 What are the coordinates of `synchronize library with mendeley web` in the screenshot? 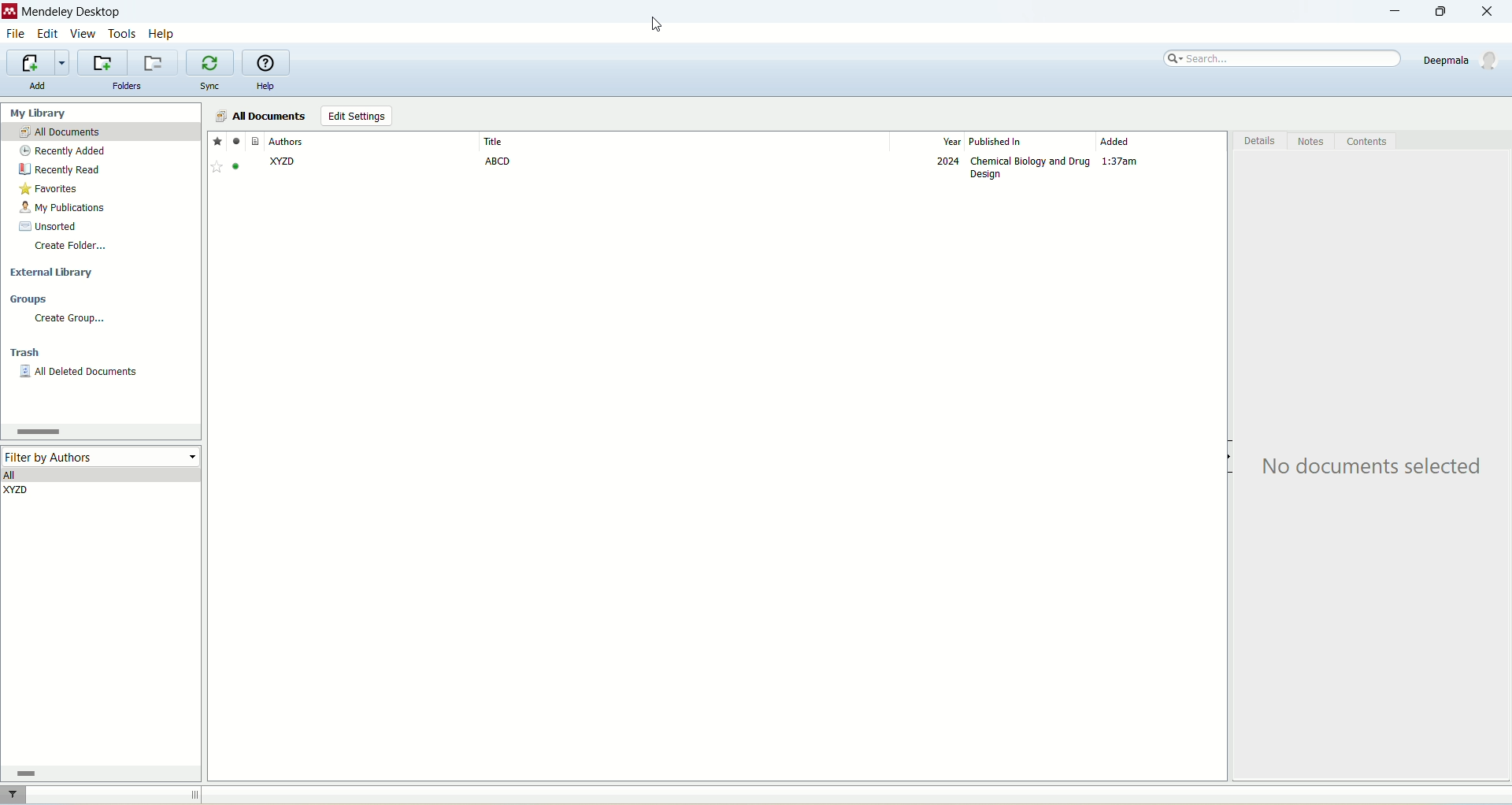 It's located at (212, 63).